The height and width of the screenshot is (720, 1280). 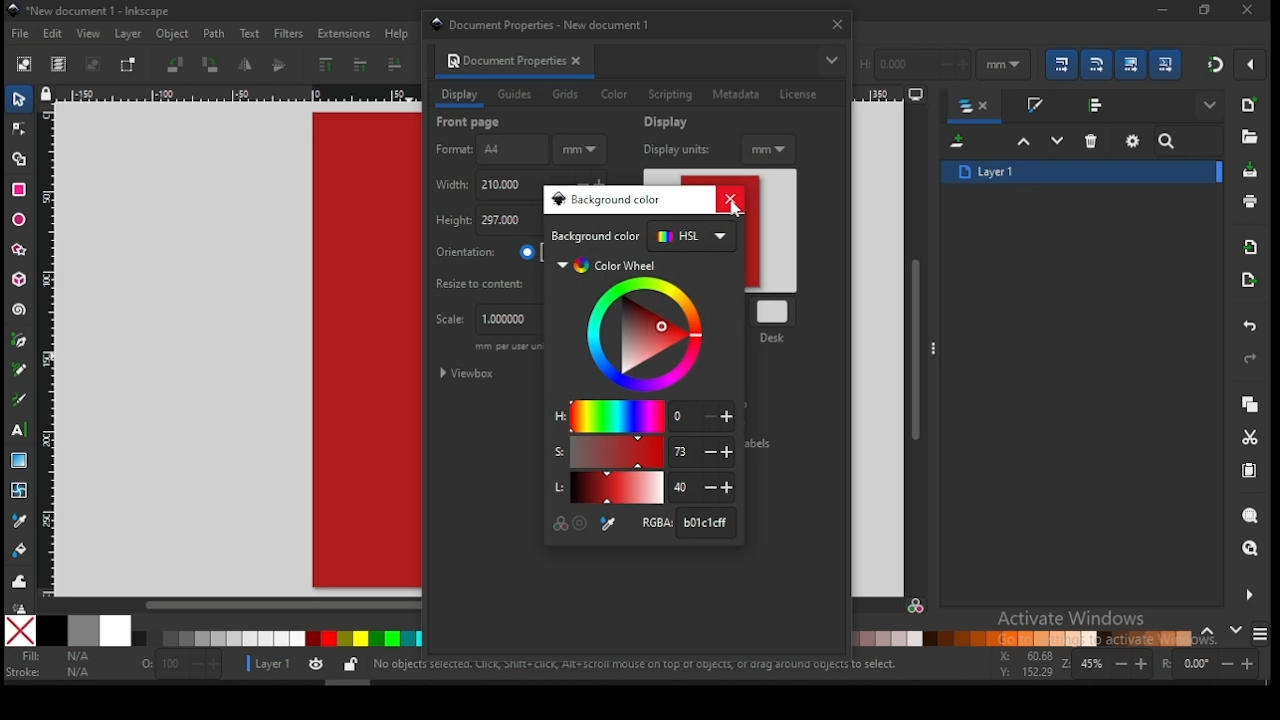 I want to click on horizontal ruler, so click(x=236, y=96).